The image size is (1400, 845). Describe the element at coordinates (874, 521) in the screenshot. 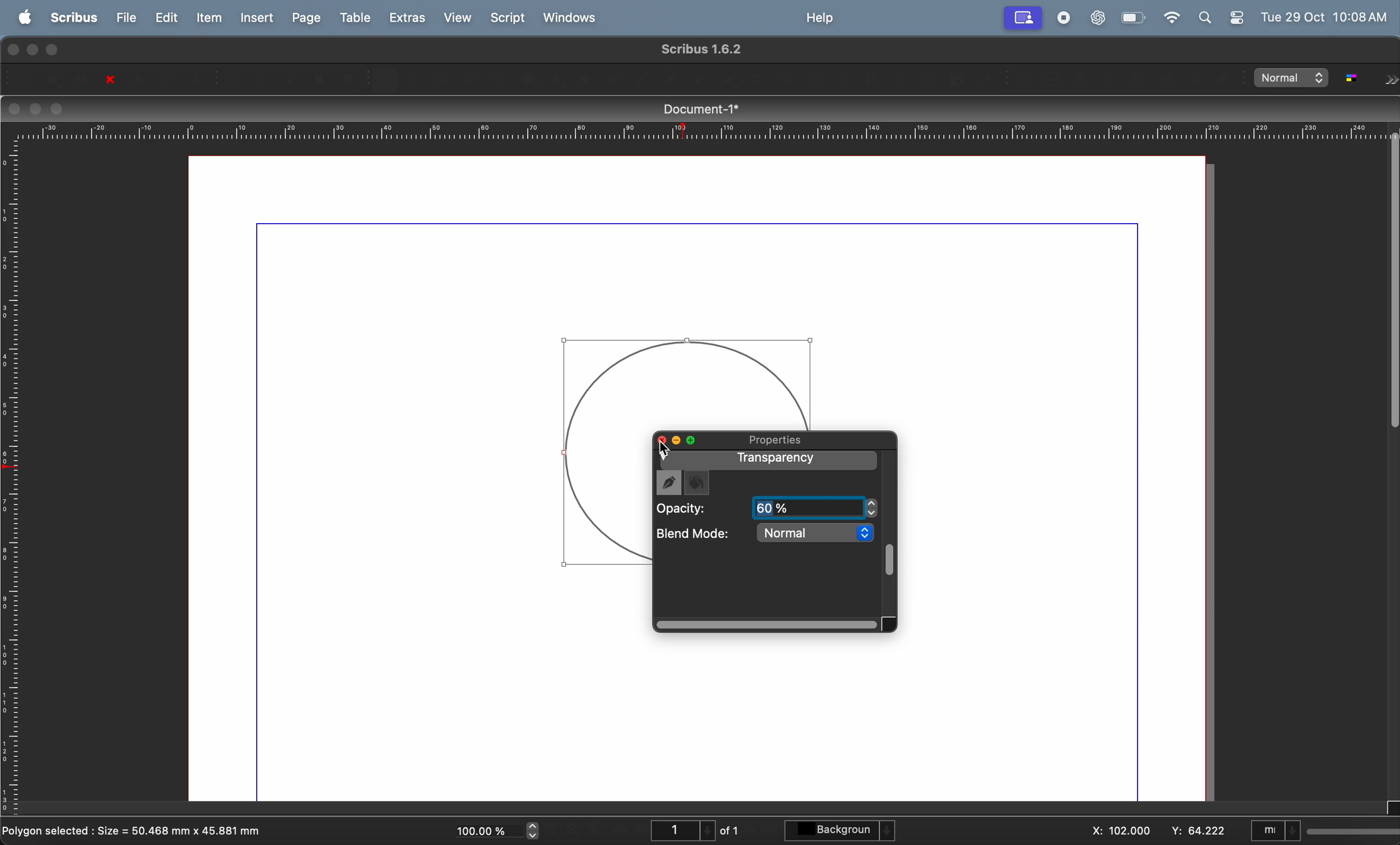

I see `Cursor` at that location.